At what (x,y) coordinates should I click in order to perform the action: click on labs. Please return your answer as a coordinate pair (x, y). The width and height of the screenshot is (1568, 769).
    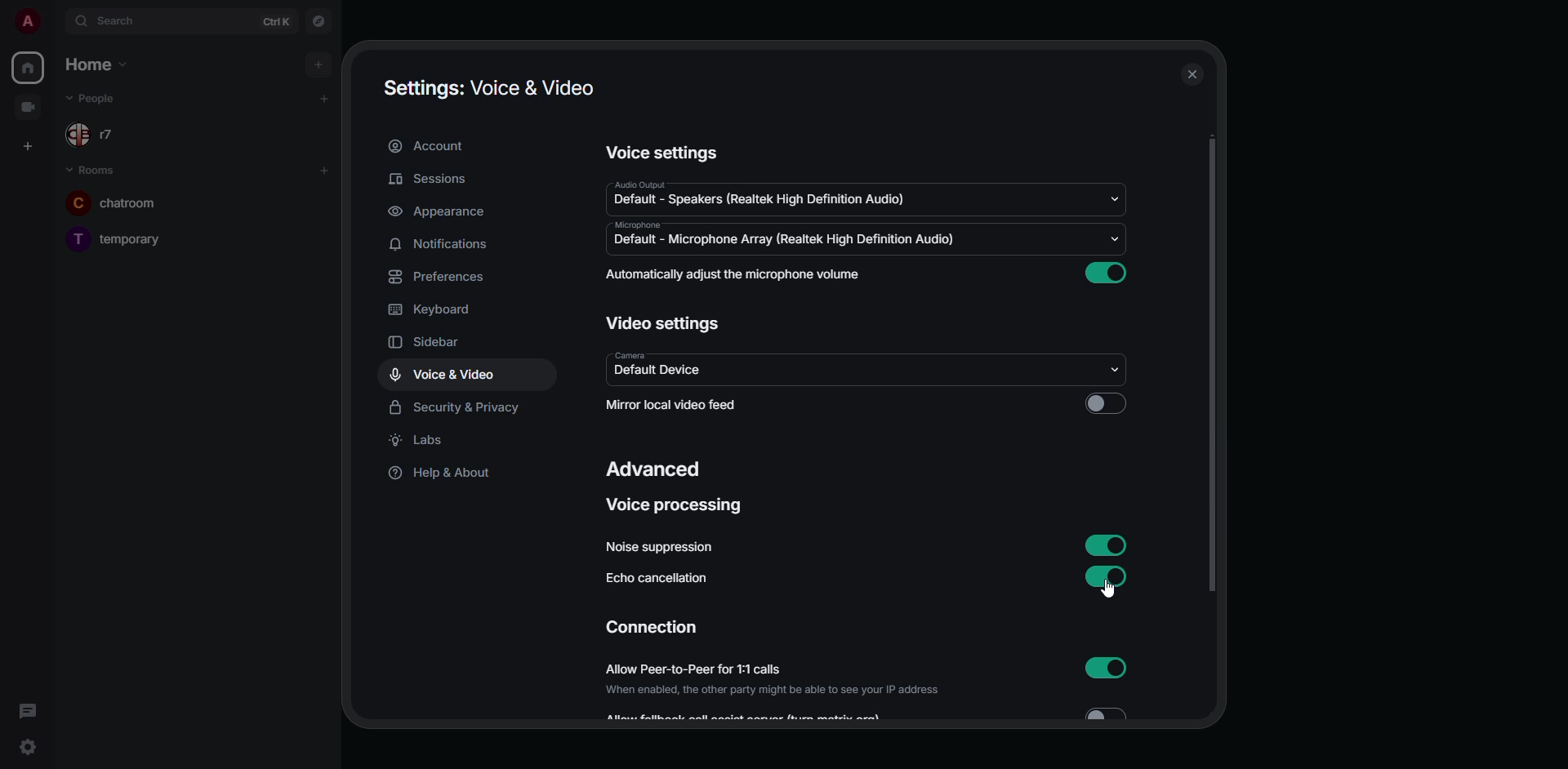
    Looking at the image, I should click on (425, 441).